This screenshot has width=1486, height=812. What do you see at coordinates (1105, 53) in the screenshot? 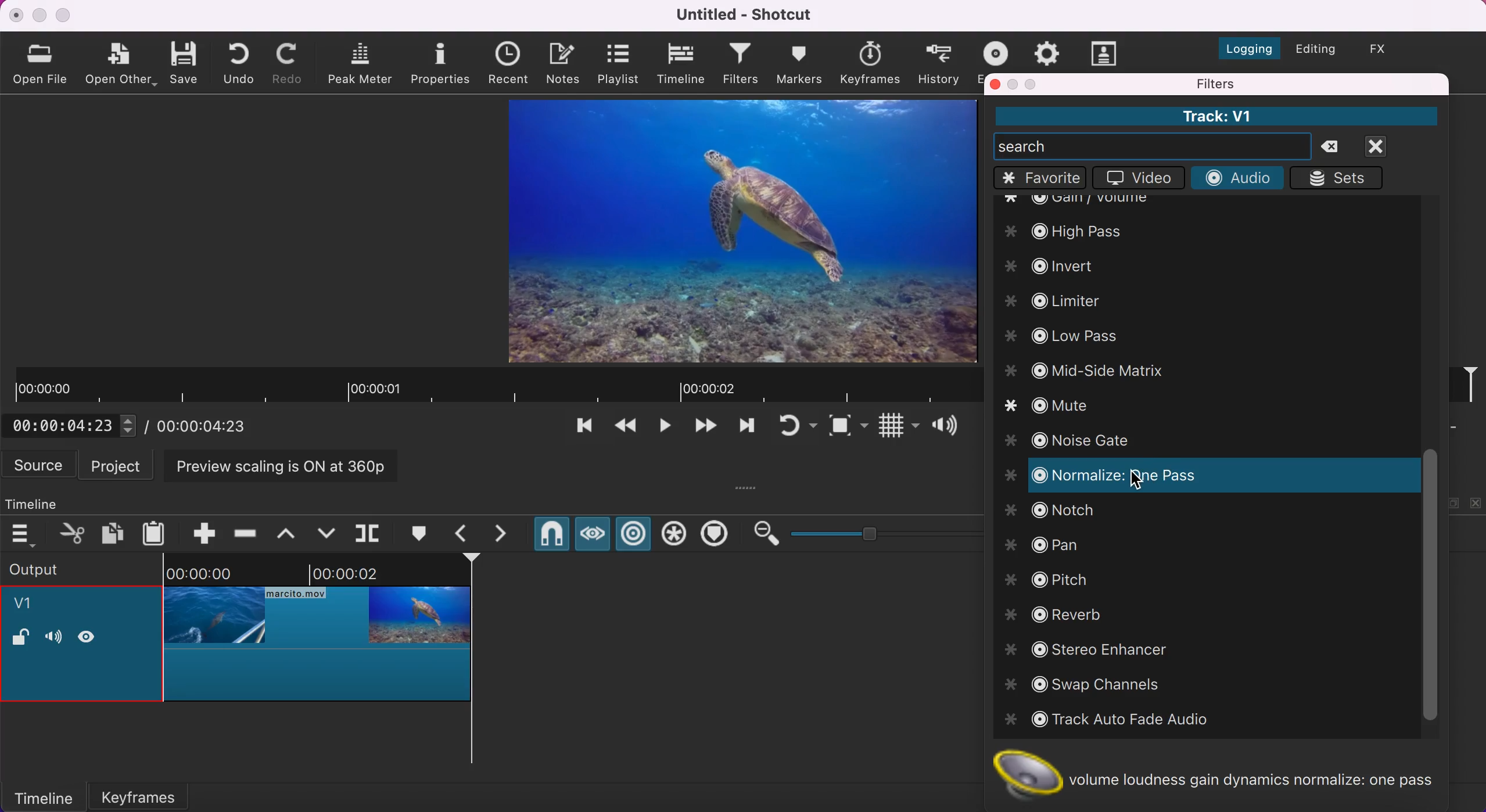
I see `subtitles` at bounding box center [1105, 53].